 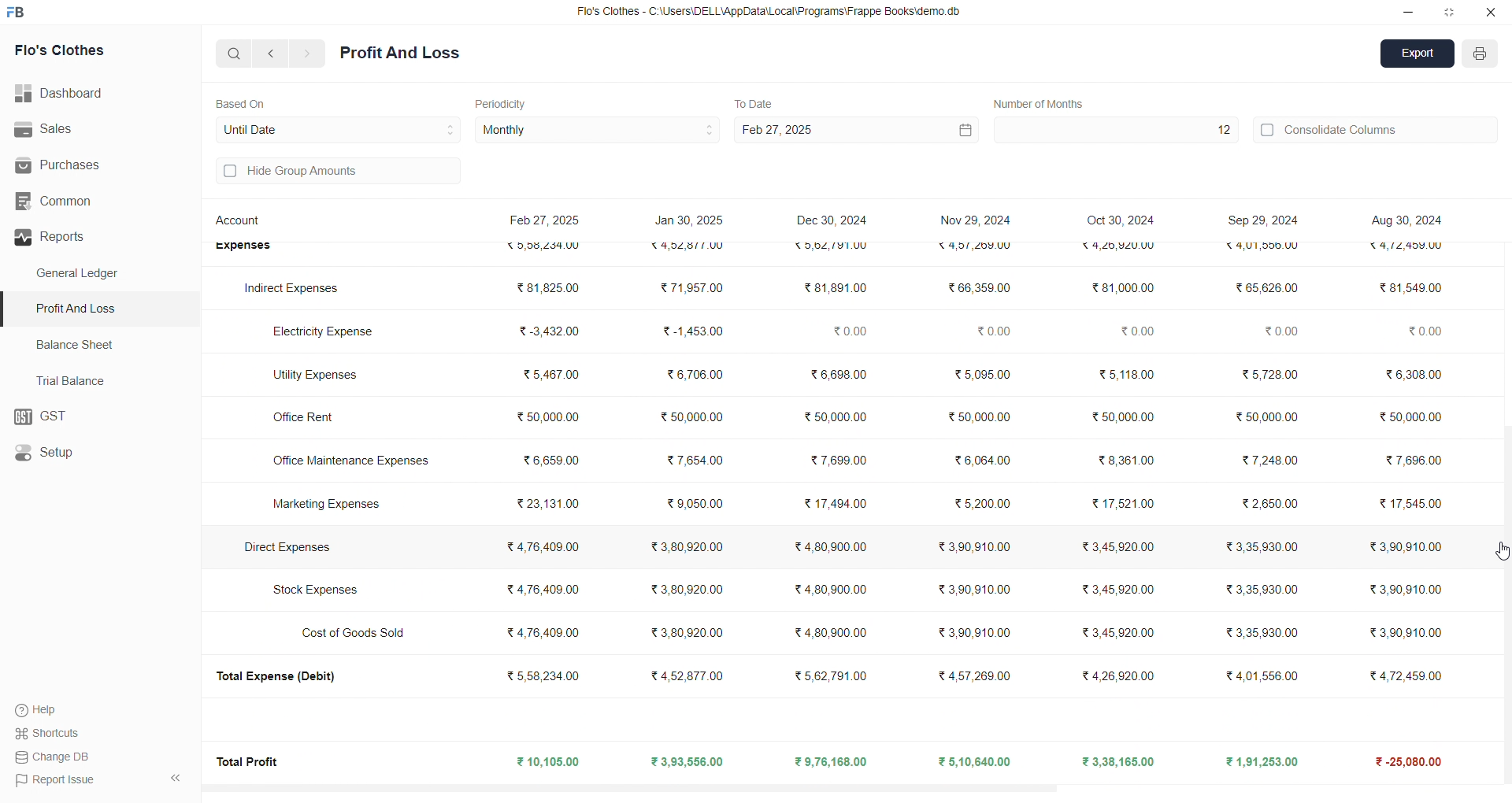 I want to click on Export, so click(x=1418, y=55).